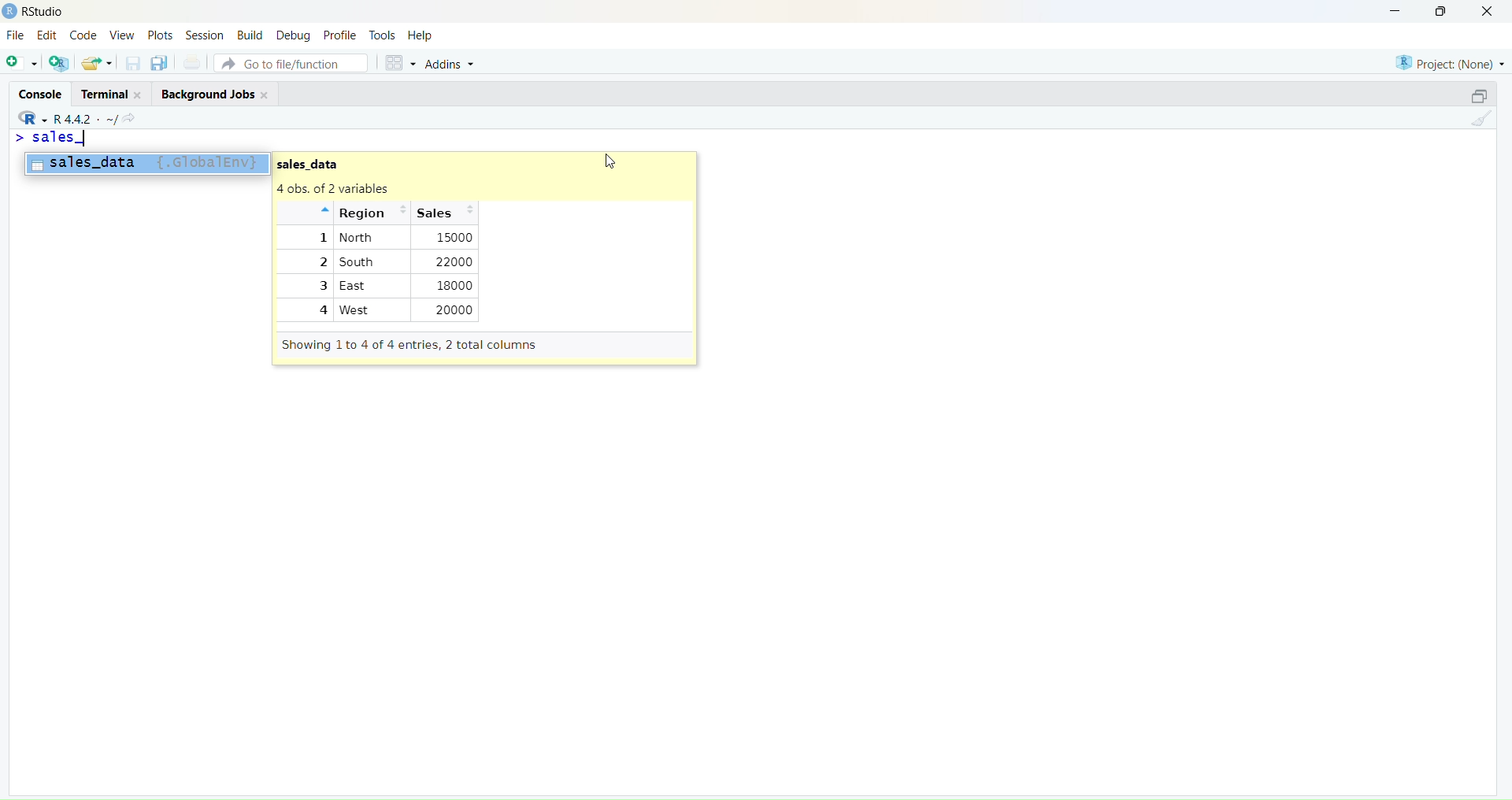 The image size is (1512, 800). Describe the element at coordinates (390, 263) in the screenshot. I see `“ Region Sales

1 North 15000
2 South 22000
3 East 18000
4 West 20000` at that location.